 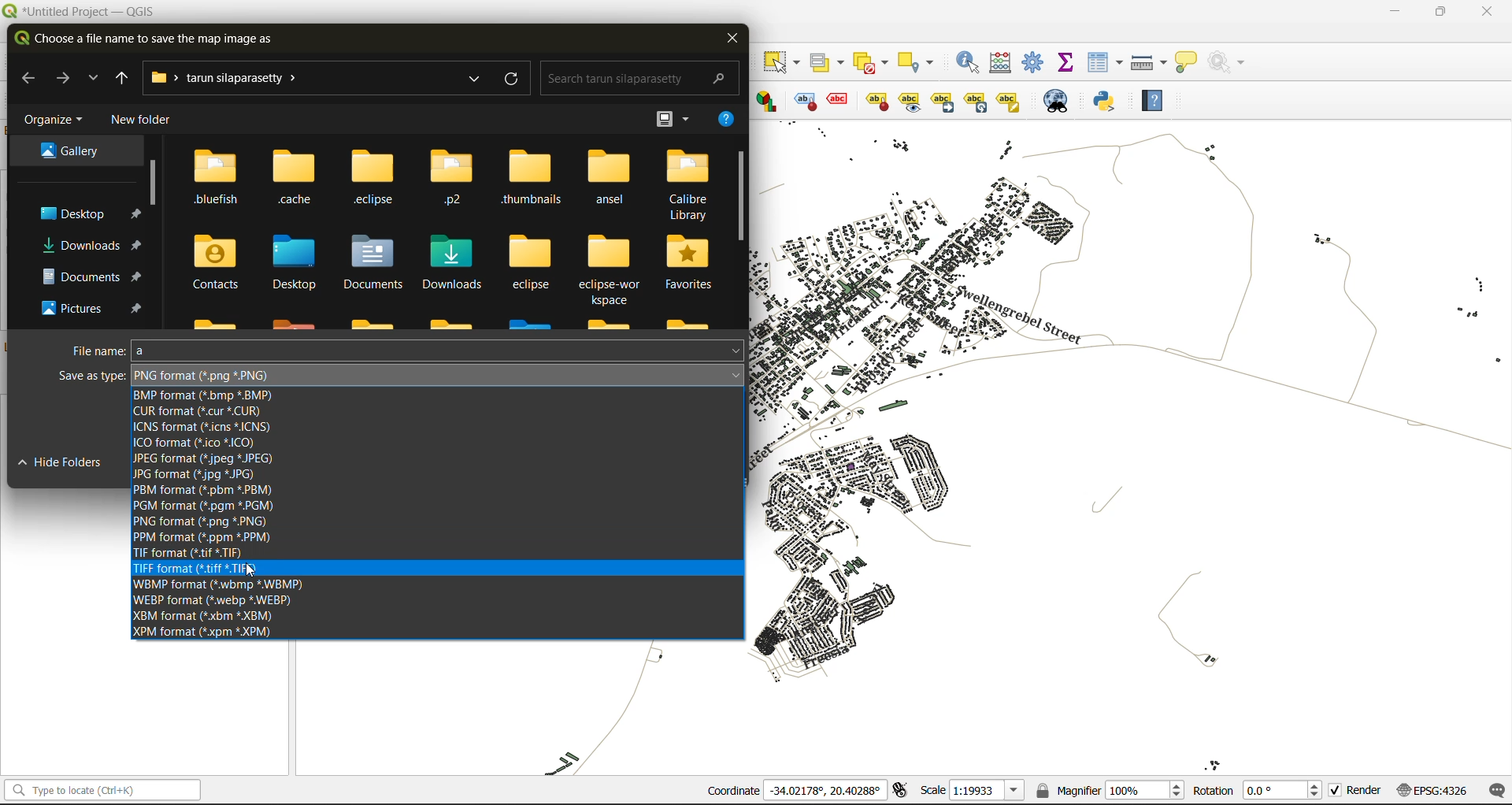 What do you see at coordinates (899, 791) in the screenshot?
I see `toggle extents` at bounding box center [899, 791].